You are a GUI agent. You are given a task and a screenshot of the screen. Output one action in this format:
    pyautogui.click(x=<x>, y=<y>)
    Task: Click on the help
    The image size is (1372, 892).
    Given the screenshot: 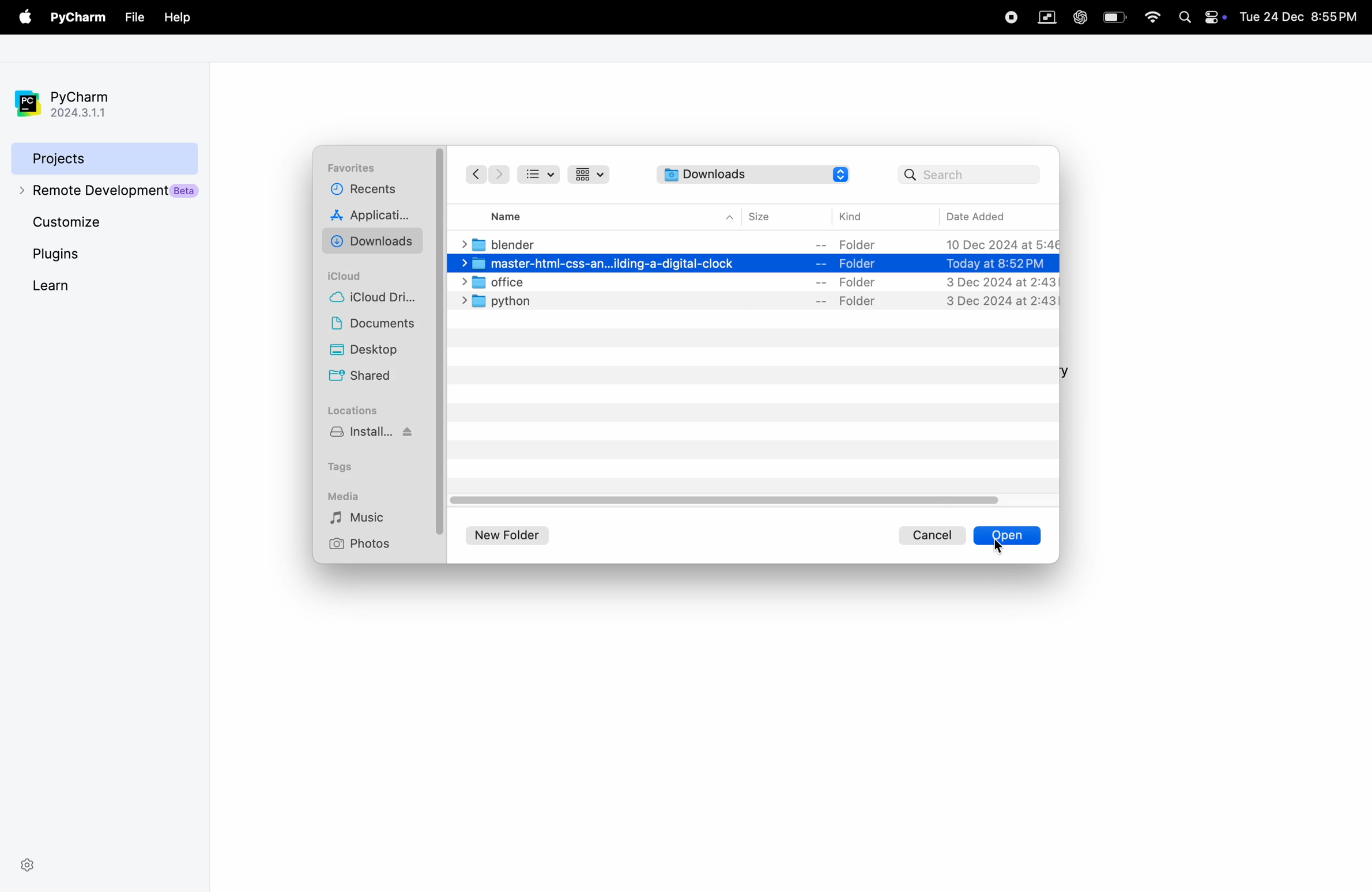 What is the action you would take?
    pyautogui.click(x=175, y=16)
    